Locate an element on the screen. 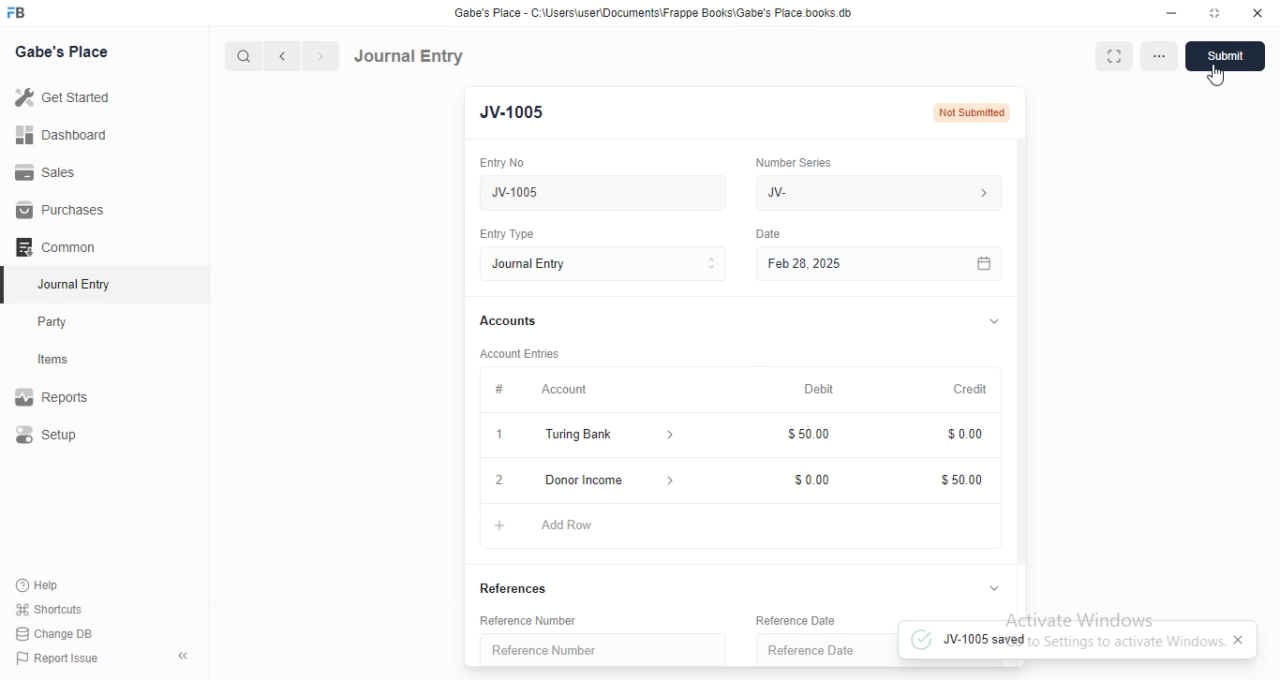 The width and height of the screenshot is (1280, 680). Reference Date is located at coordinates (809, 650).